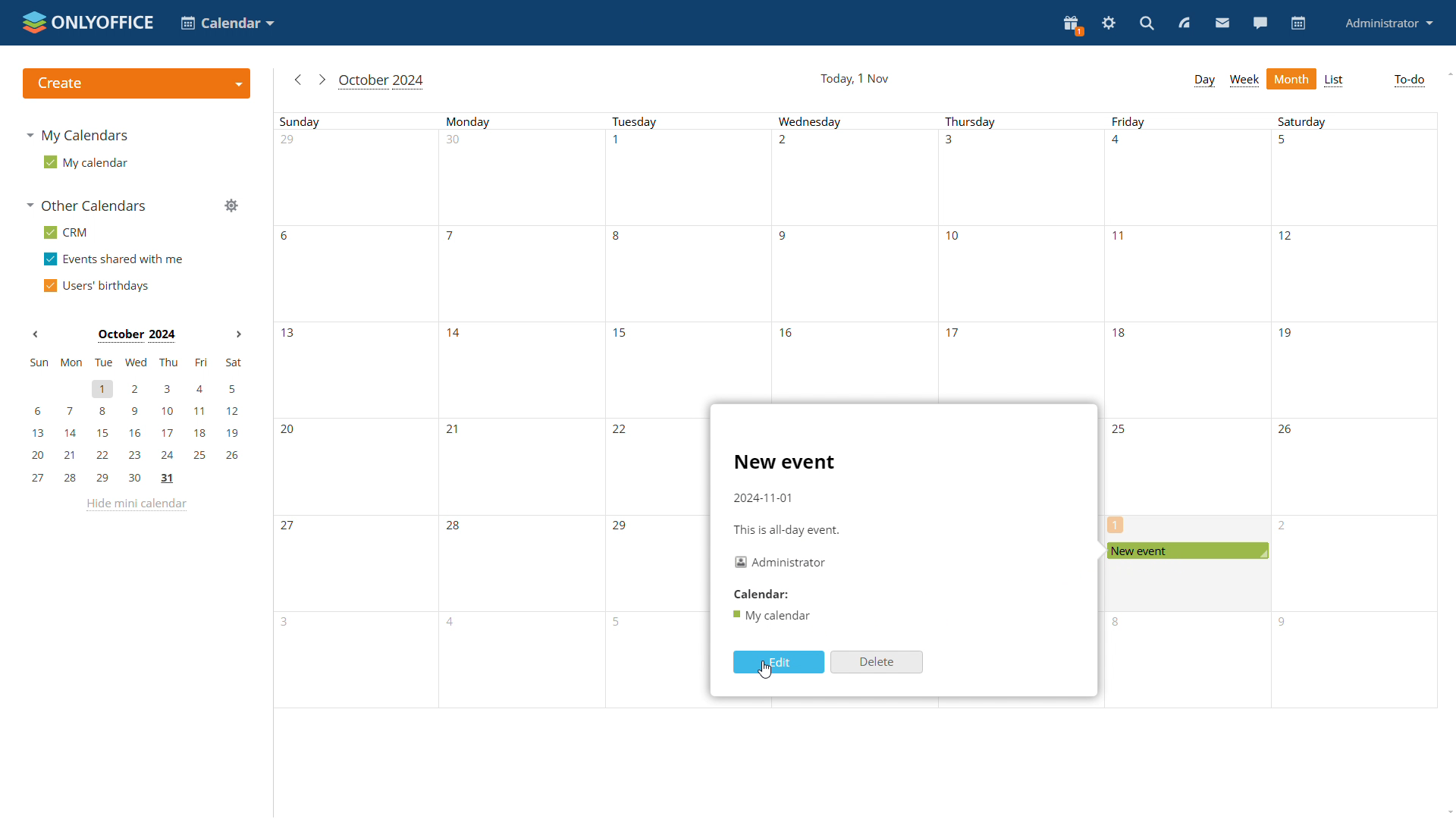  What do you see at coordinates (657, 413) in the screenshot?
I see `Tuesday` at bounding box center [657, 413].